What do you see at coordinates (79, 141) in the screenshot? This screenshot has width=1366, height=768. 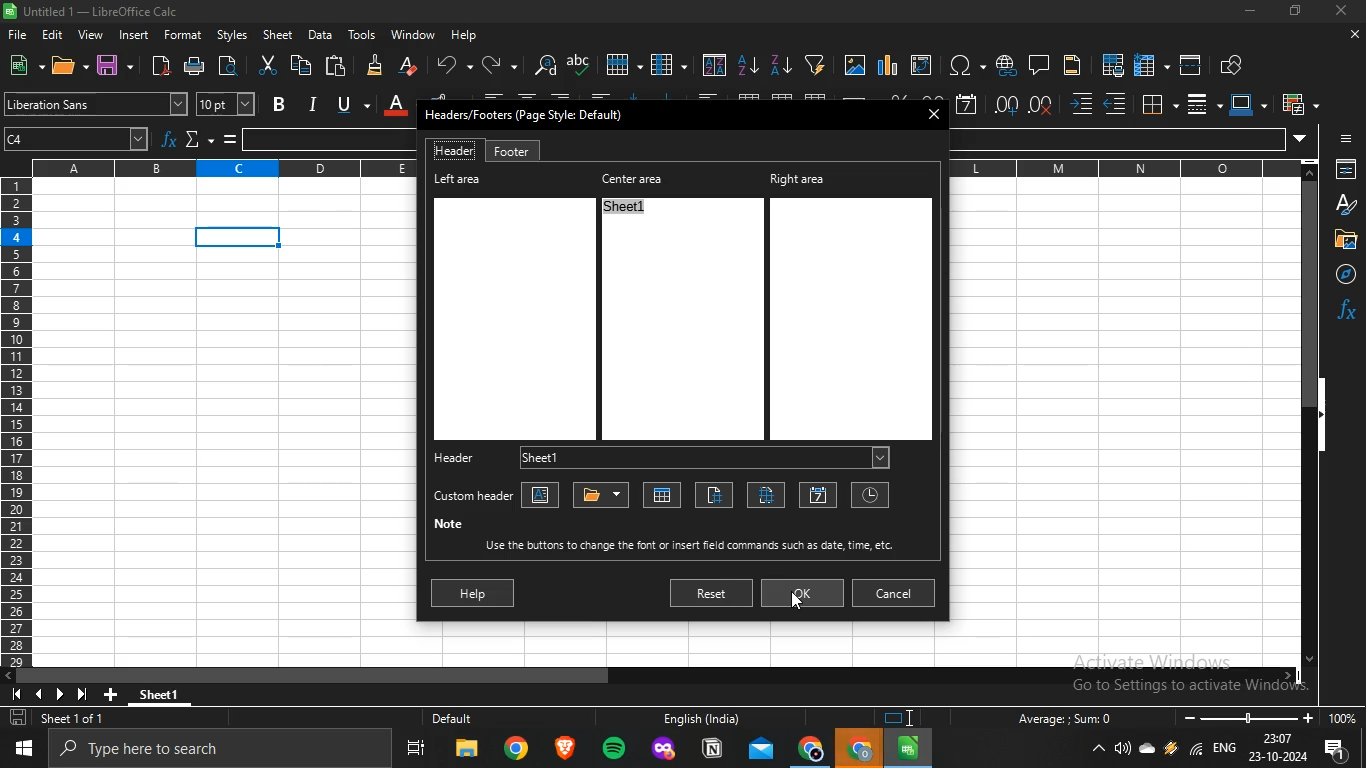 I see `cell number` at bounding box center [79, 141].